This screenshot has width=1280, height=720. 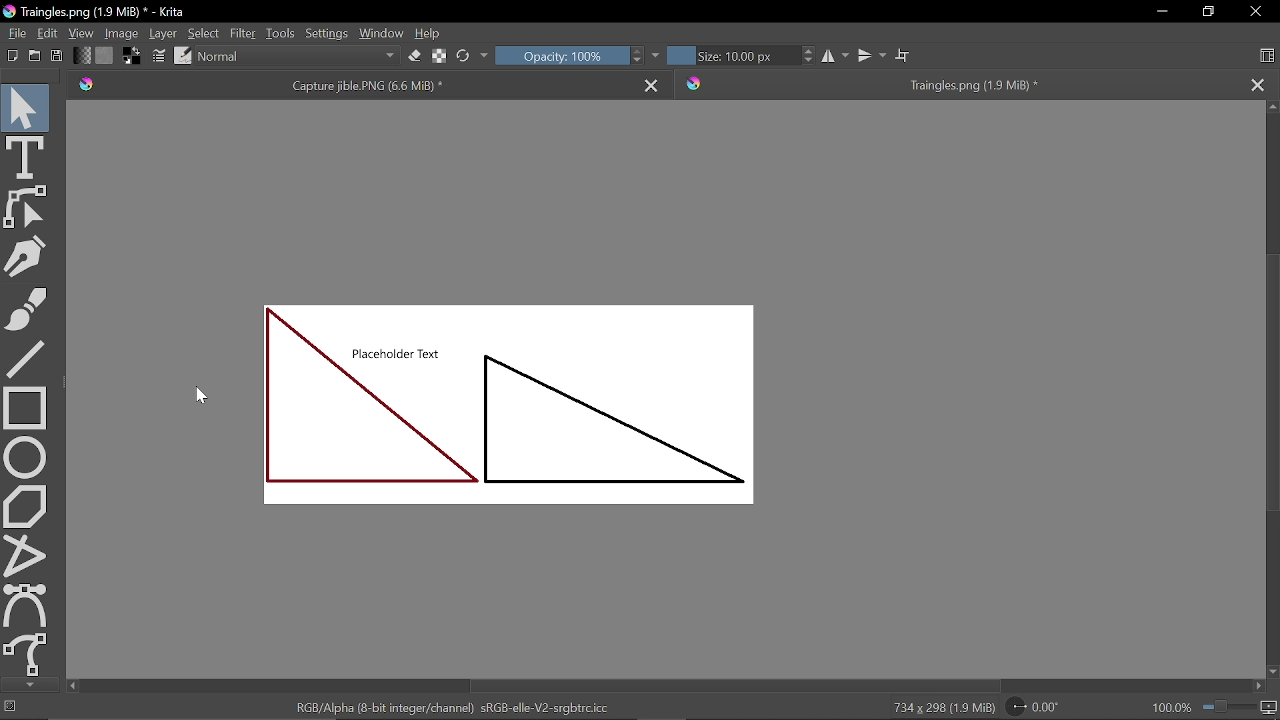 What do you see at coordinates (939, 709) in the screenshot?
I see `734 * 298 (960.0 Kib)` at bounding box center [939, 709].